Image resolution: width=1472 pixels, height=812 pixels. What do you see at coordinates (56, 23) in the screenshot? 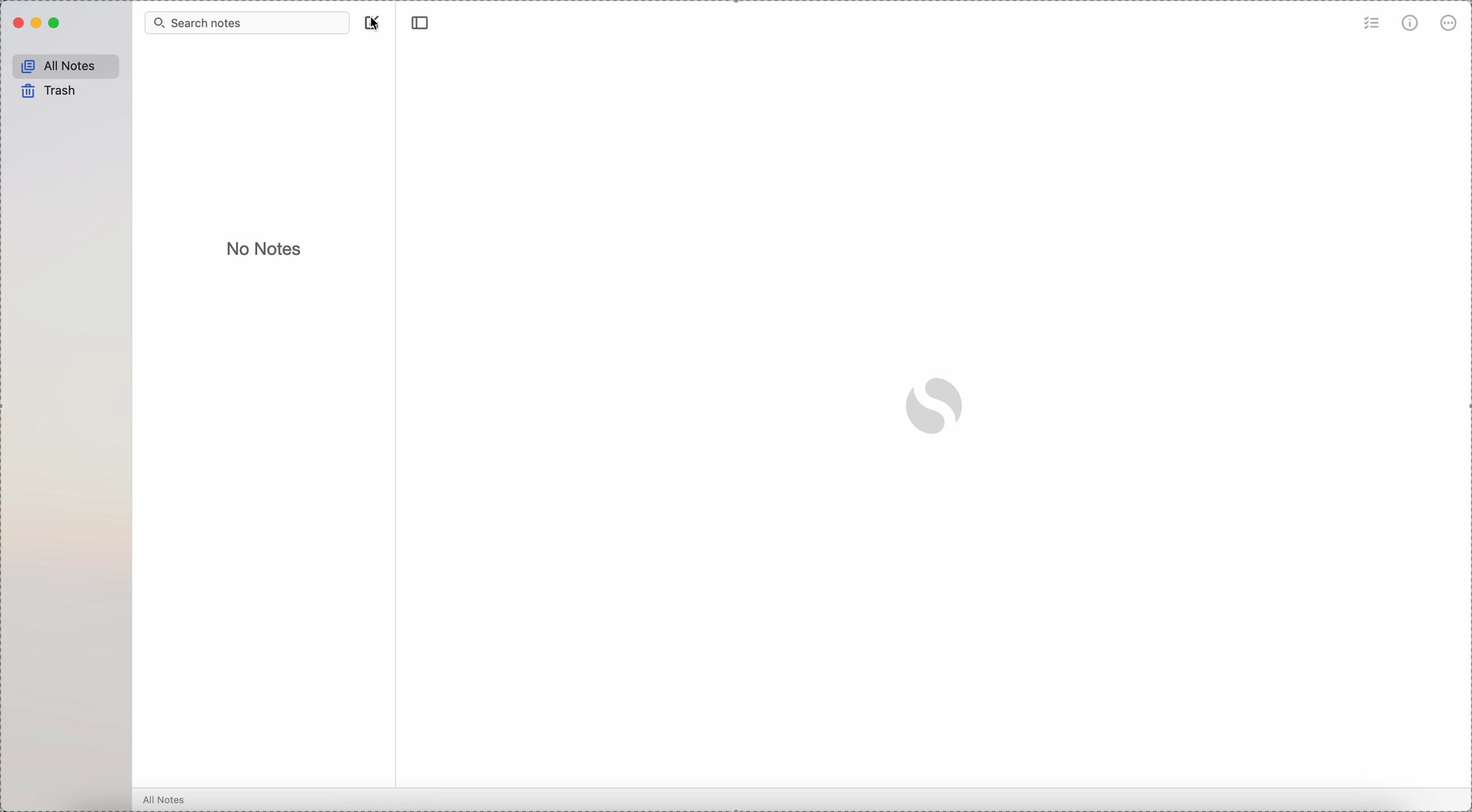
I see `maximize` at bounding box center [56, 23].